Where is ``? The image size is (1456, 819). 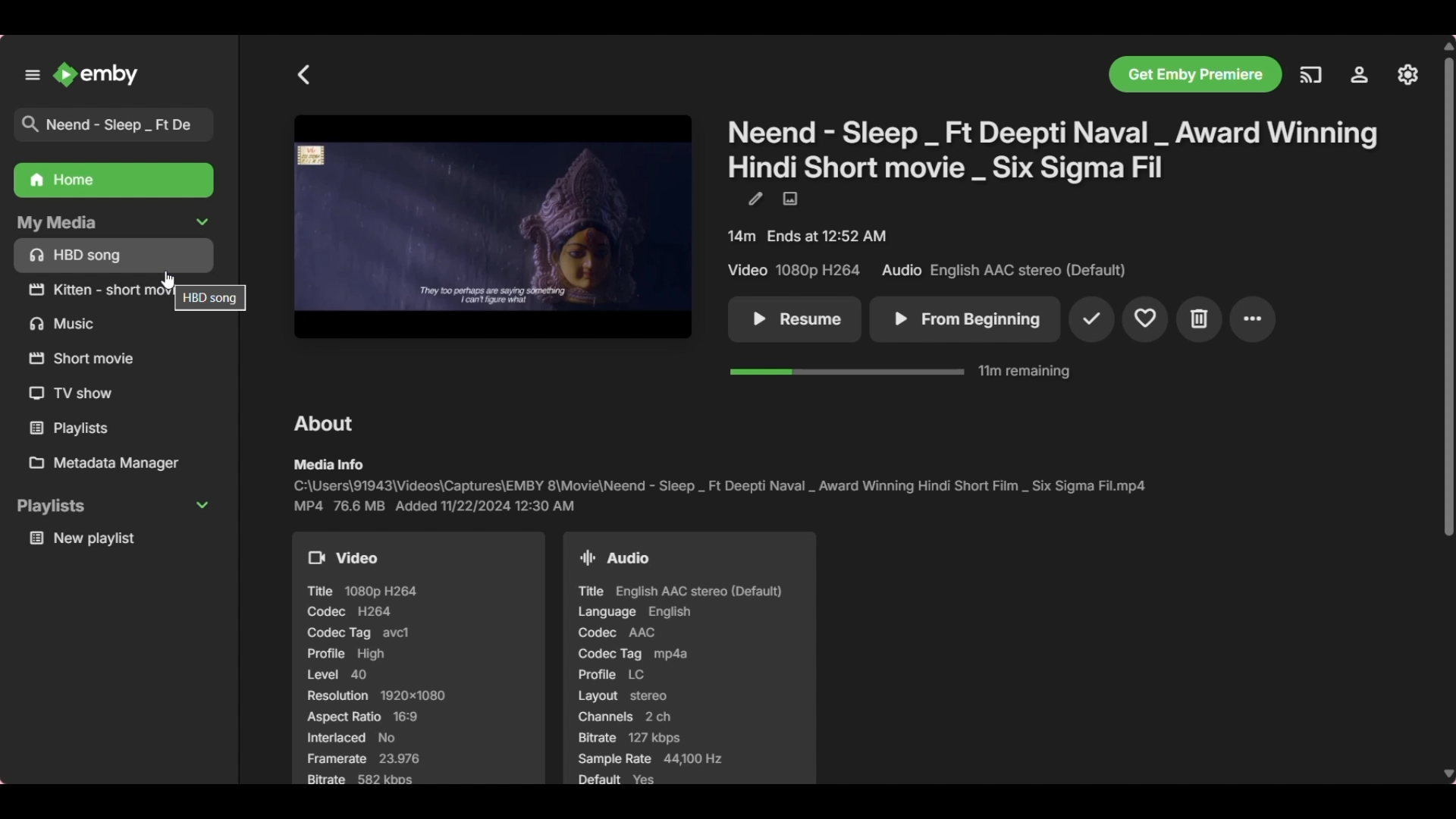  is located at coordinates (1447, 292).